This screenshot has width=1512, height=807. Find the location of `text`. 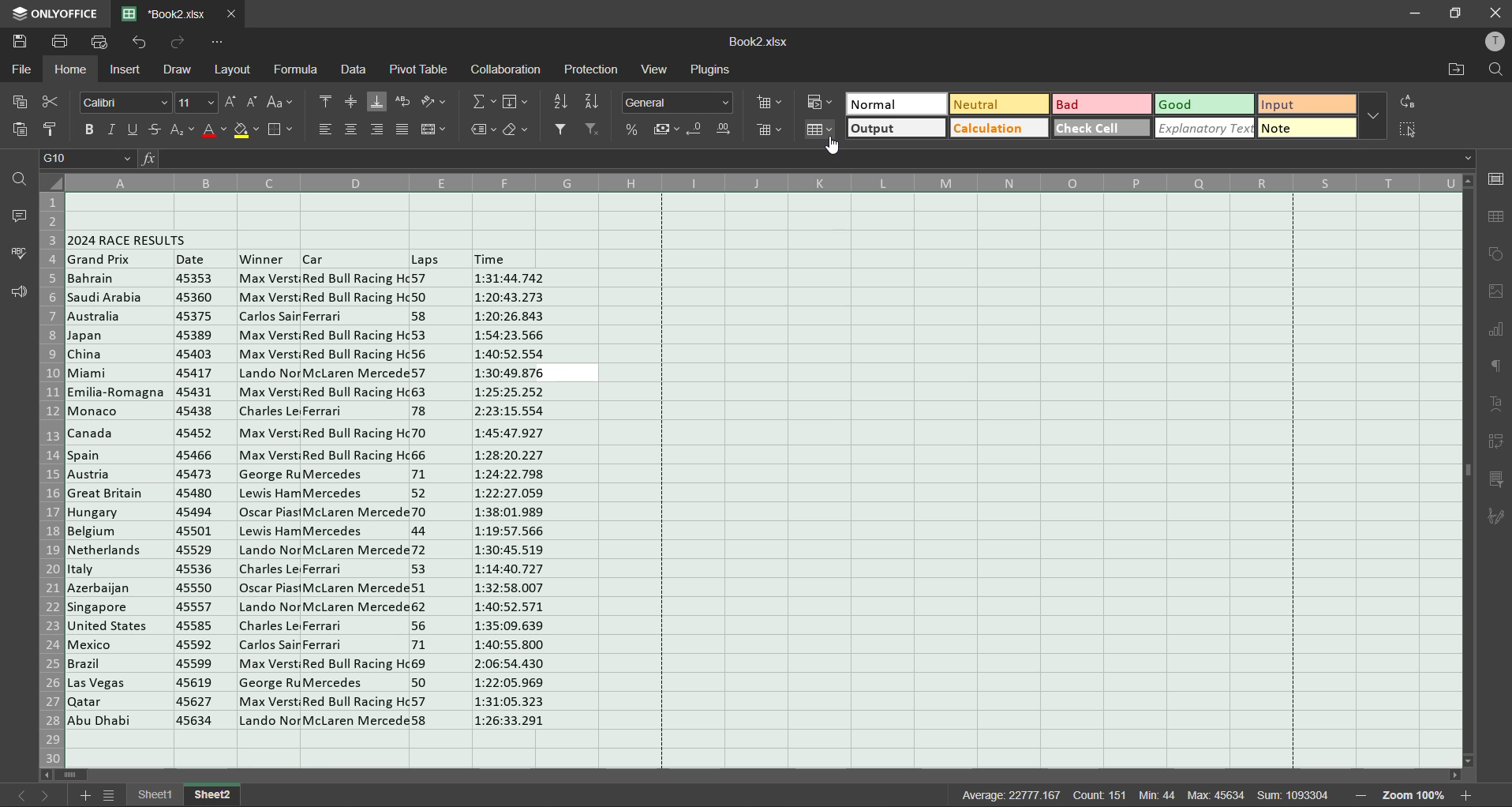

text is located at coordinates (1496, 405).